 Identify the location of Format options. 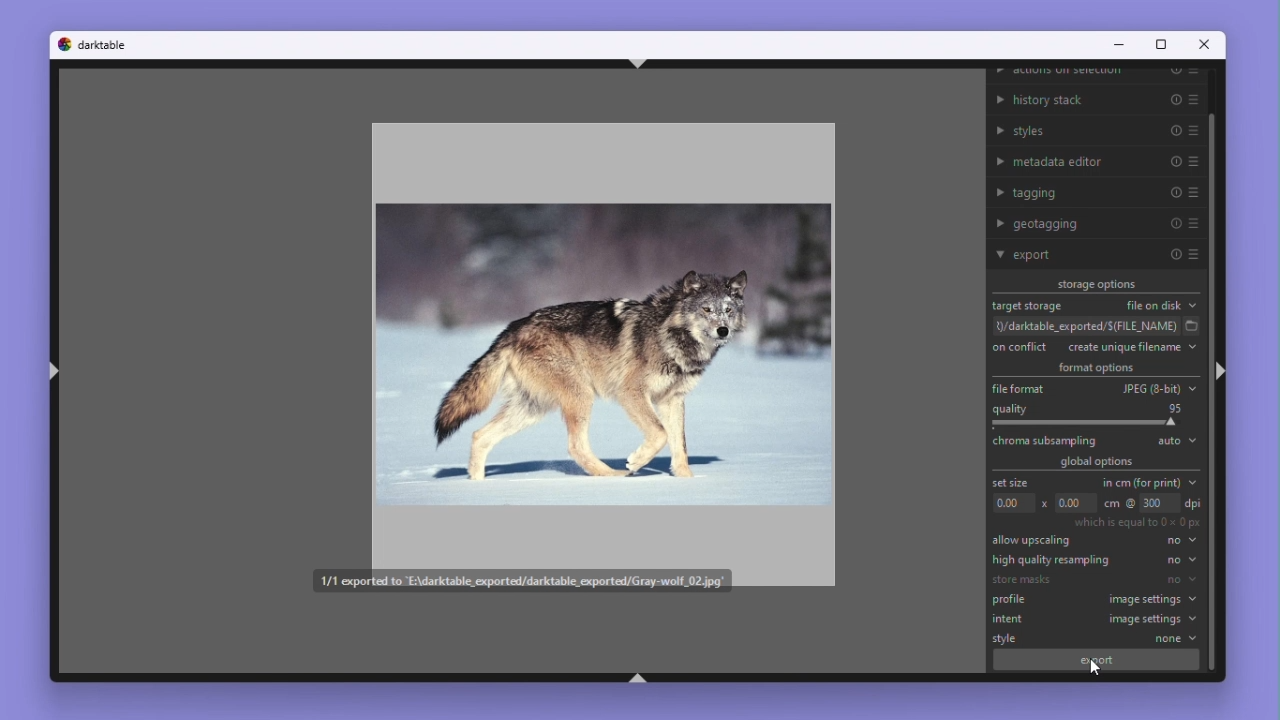
(1098, 368).